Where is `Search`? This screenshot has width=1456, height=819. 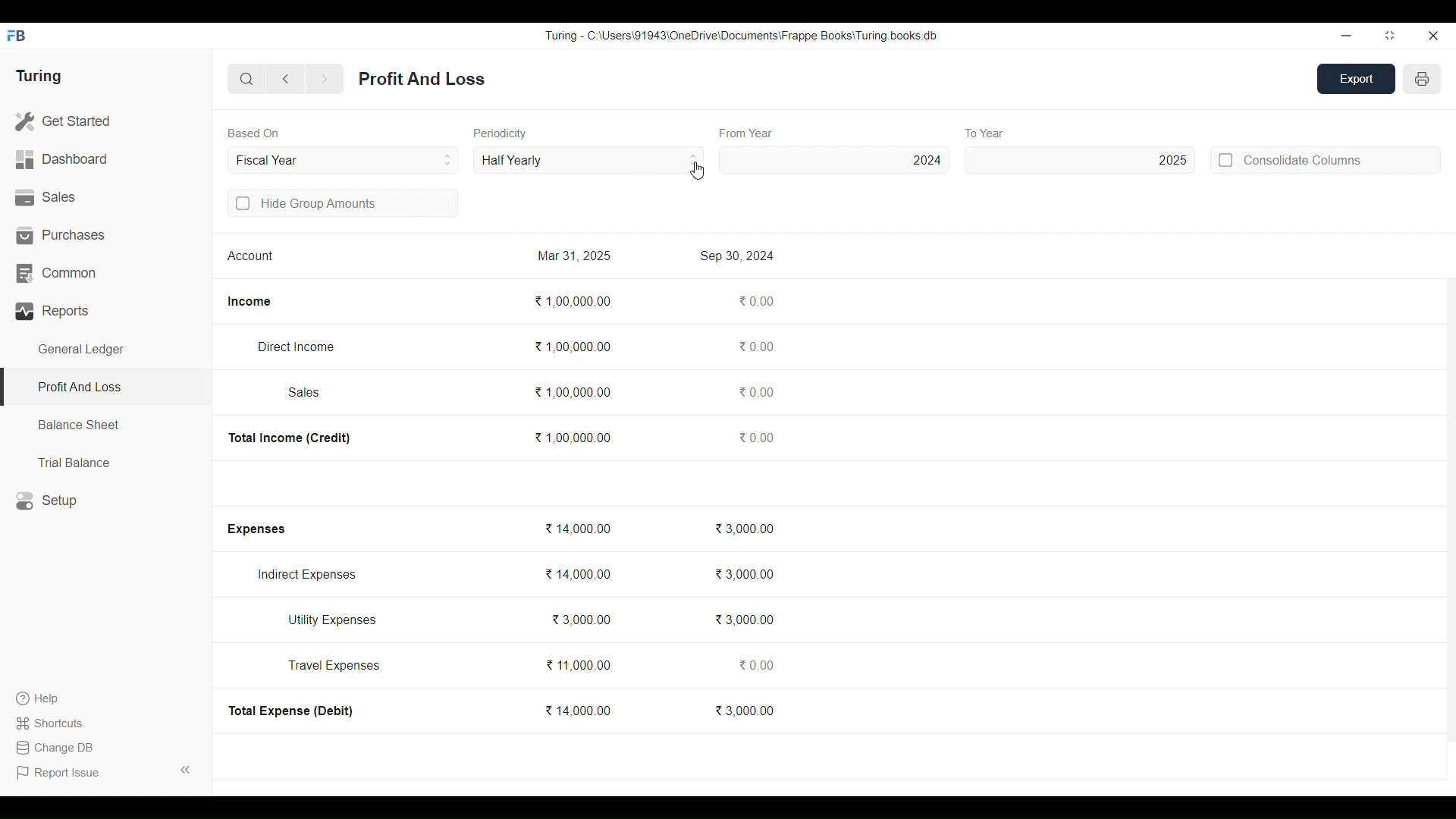 Search is located at coordinates (247, 79).